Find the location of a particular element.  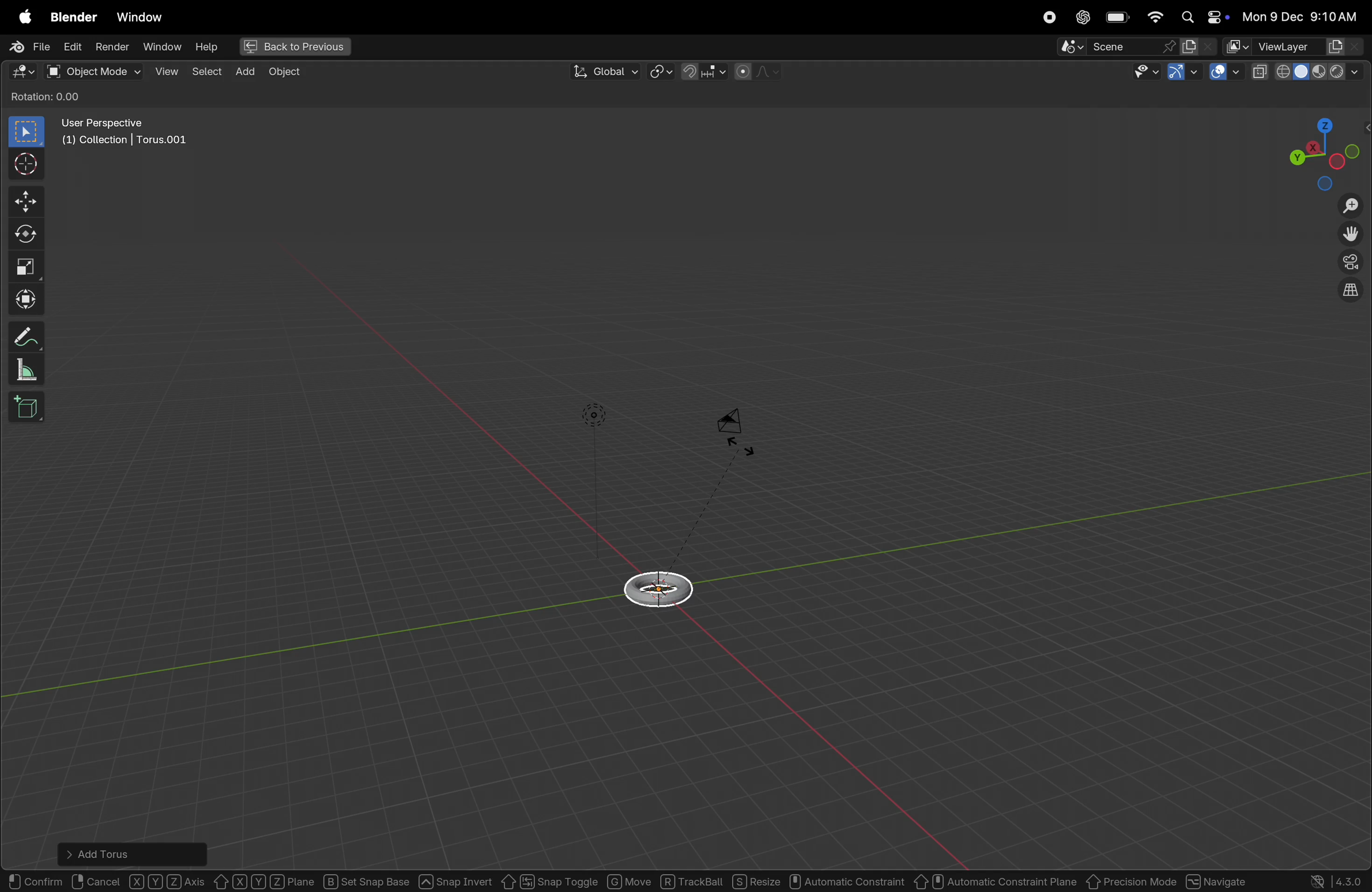

camera is located at coordinates (738, 429).